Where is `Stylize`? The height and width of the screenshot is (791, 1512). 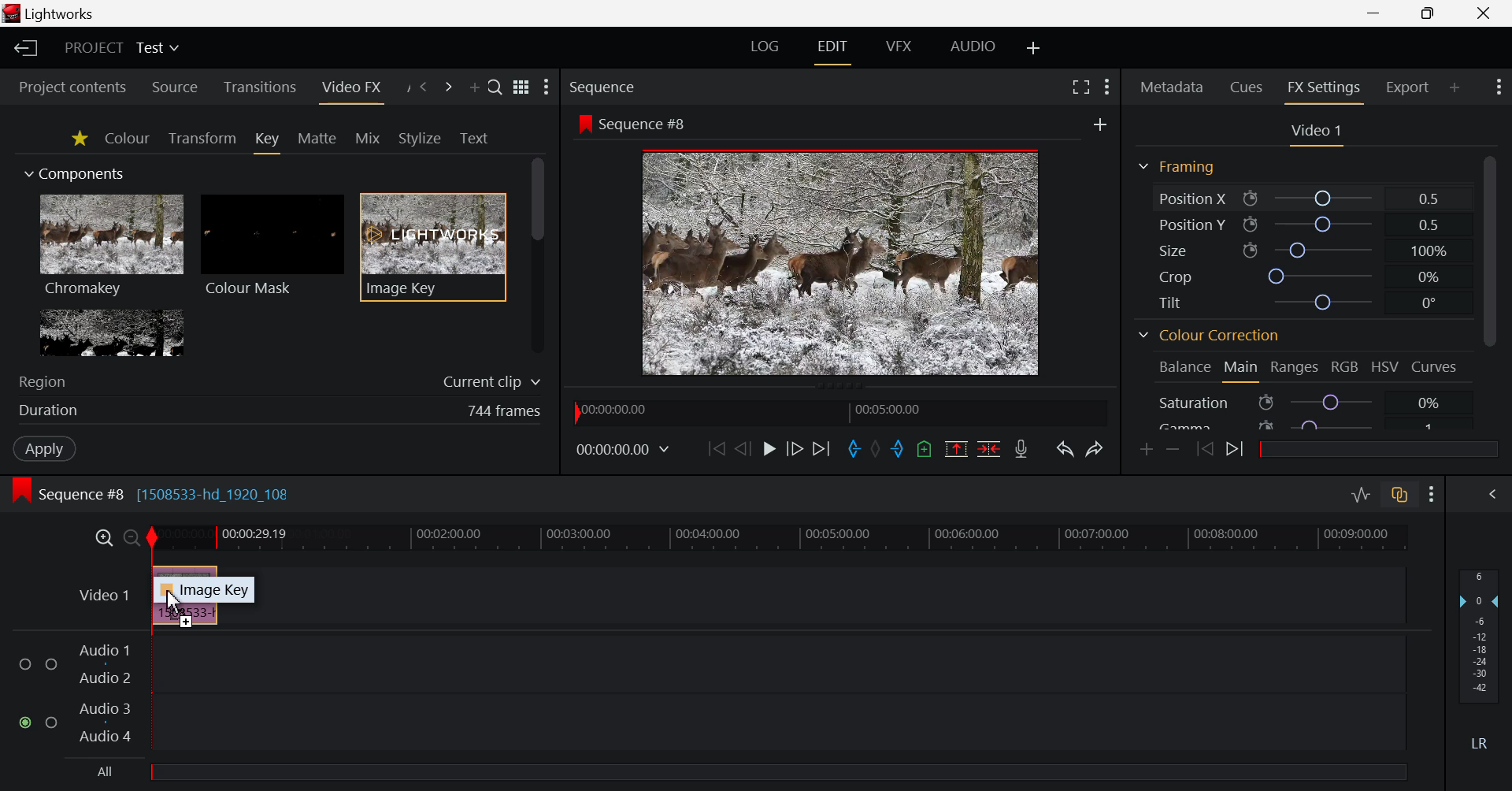 Stylize is located at coordinates (419, 137).